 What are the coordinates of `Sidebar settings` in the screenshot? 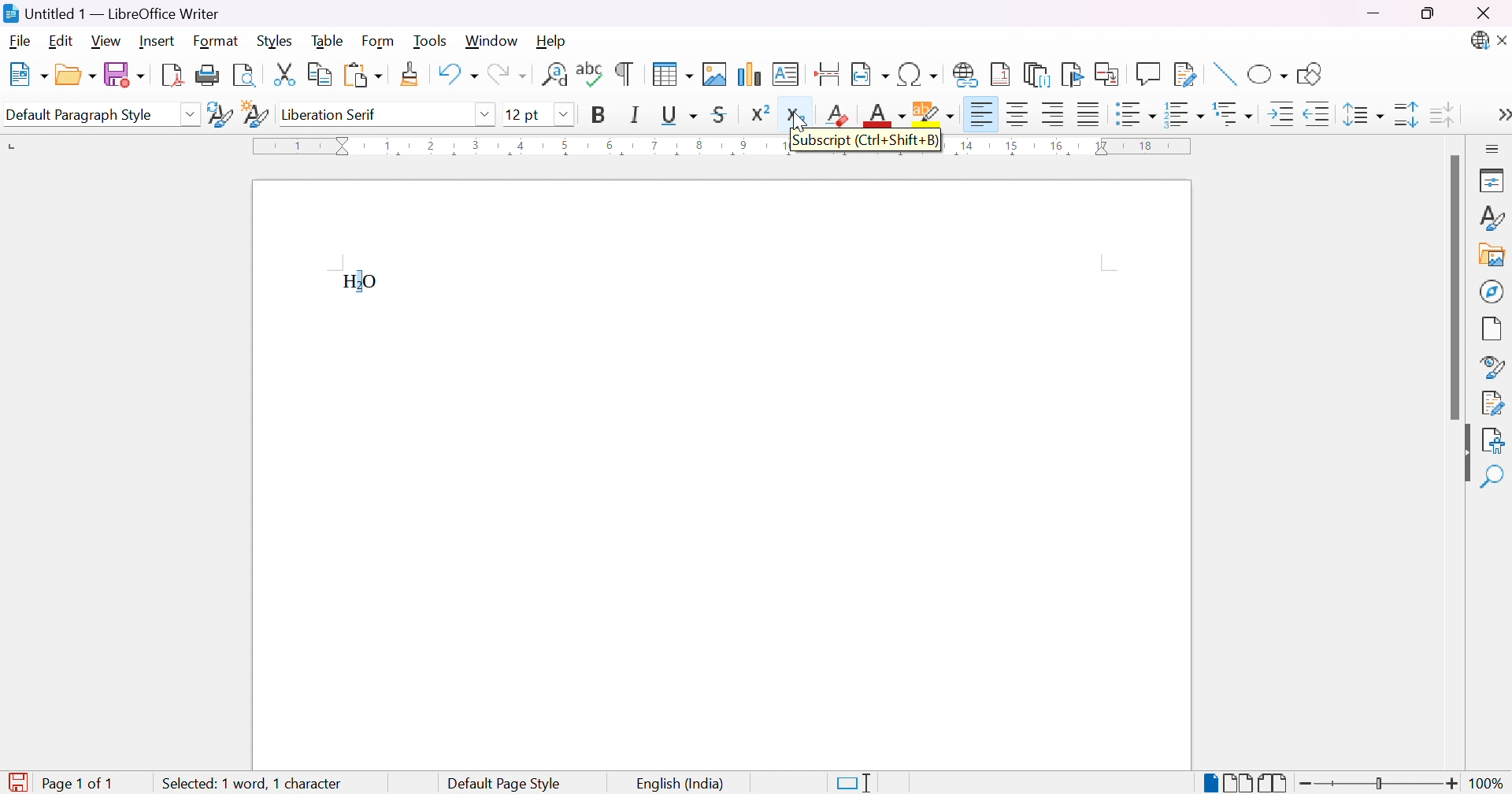 It's located at (1494, 148).